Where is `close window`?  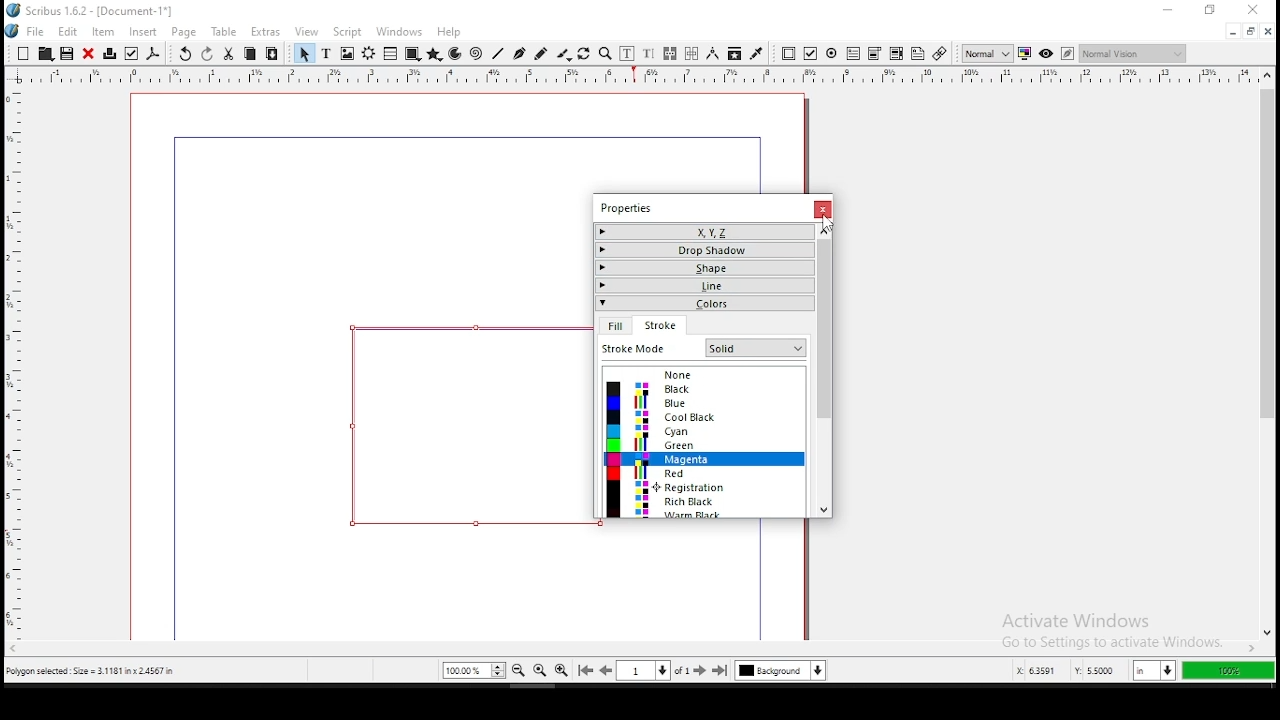
close window is located at coordinates (823, 209).